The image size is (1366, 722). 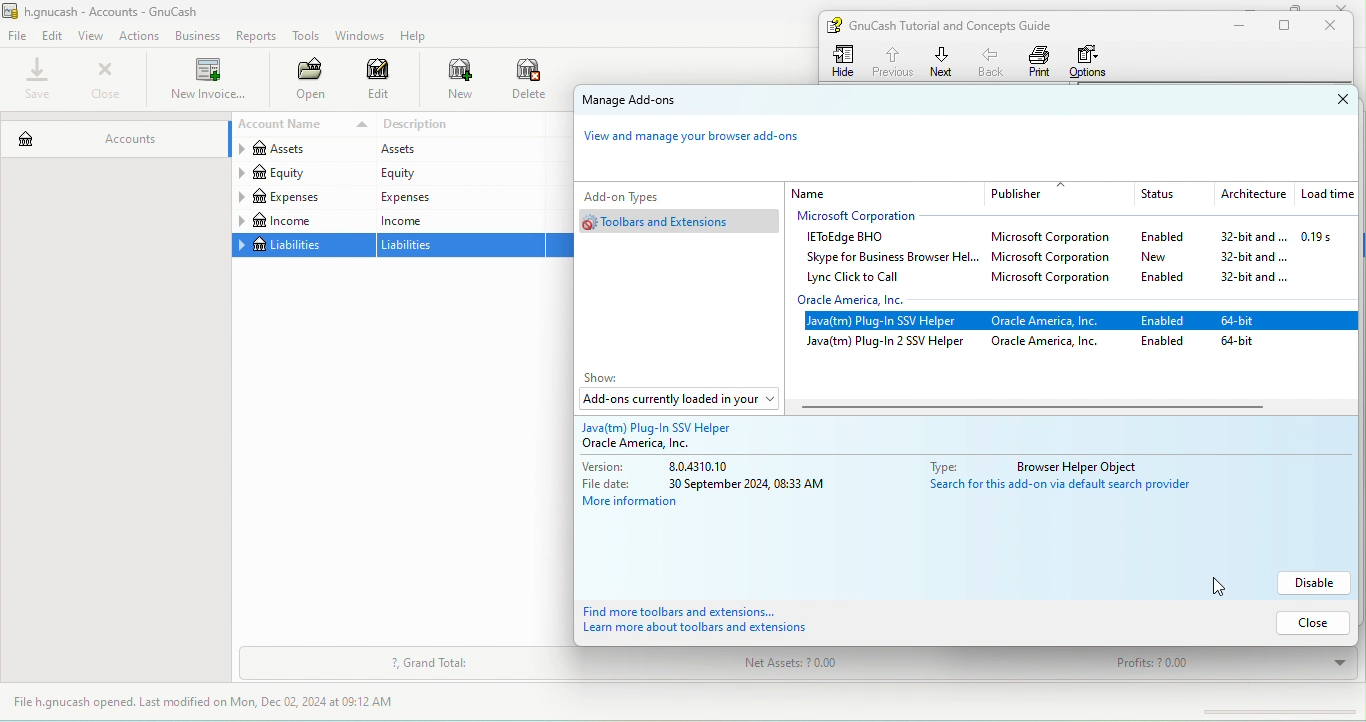 What do you see at coordinates (1309, 622) in the screenshot?
I see `close` at bounding box center [1309, 622].